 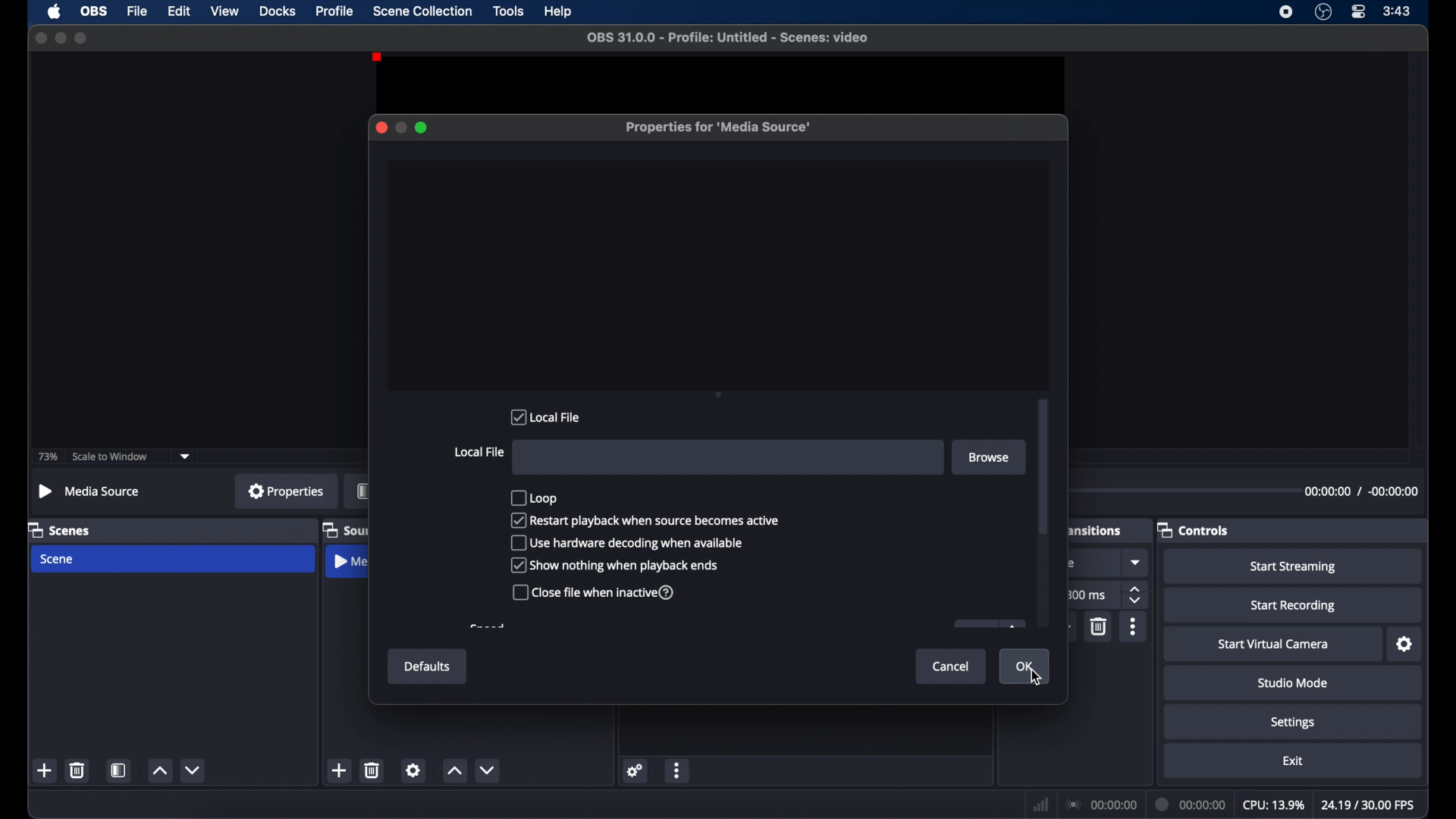 What do you see at coordinates (1293, 606) in the screenshot?
I see `start recording` at bounding box center [1293, 606].